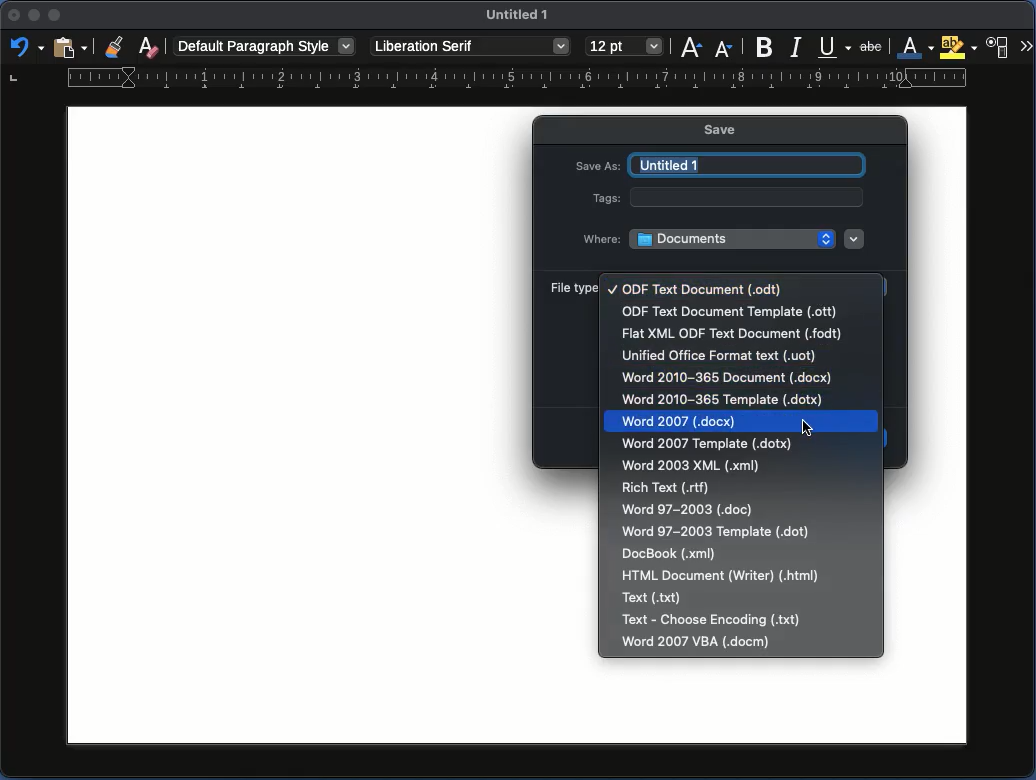  Describe the element at coordinates (721, 400) in the screenshot. I see `dotx` at that location.